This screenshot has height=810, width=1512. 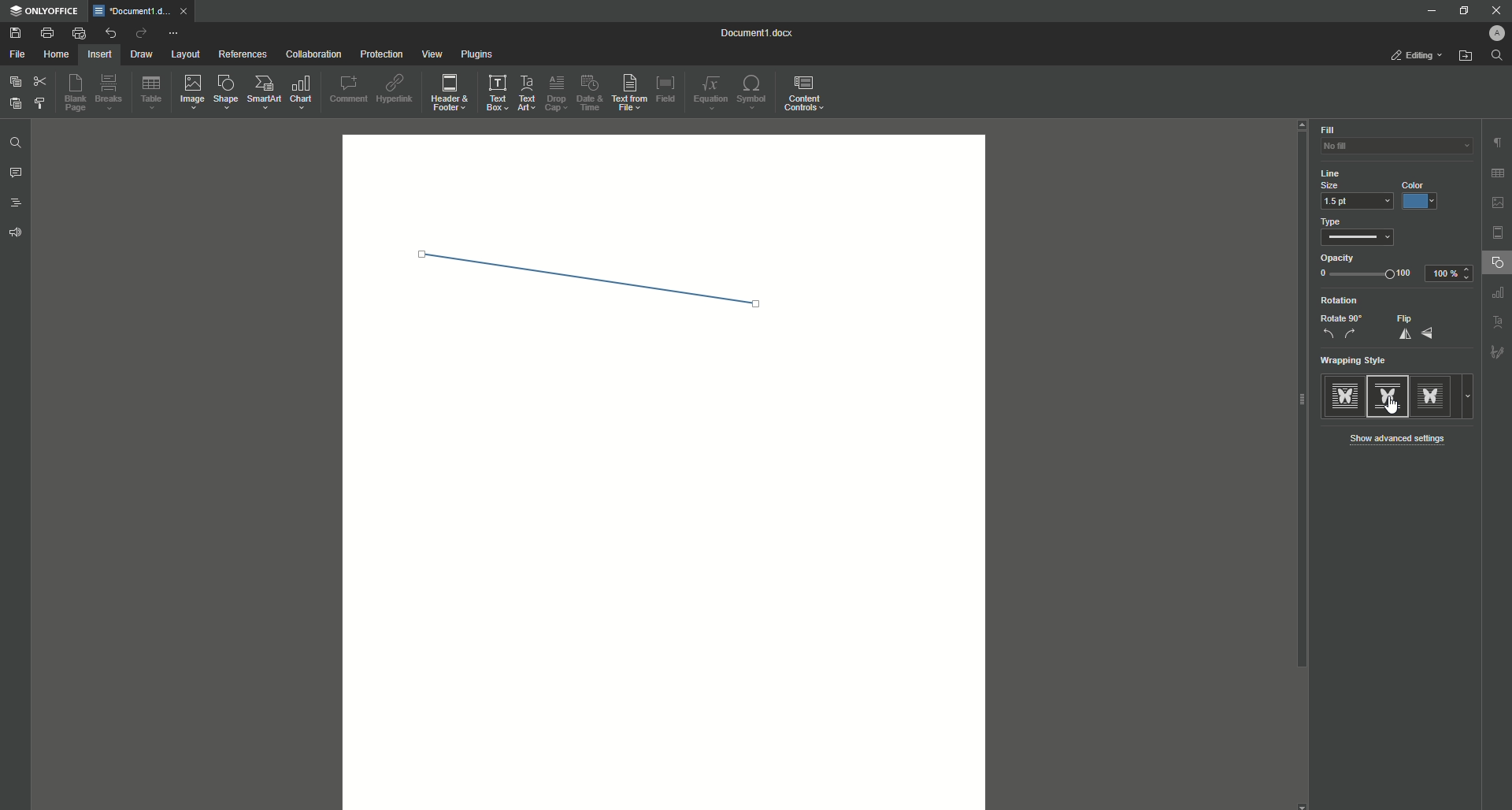 What do you see at coordinates (1496, 138) in the screenshot?
I see `paragraph` at bounding box center [1496, 138].